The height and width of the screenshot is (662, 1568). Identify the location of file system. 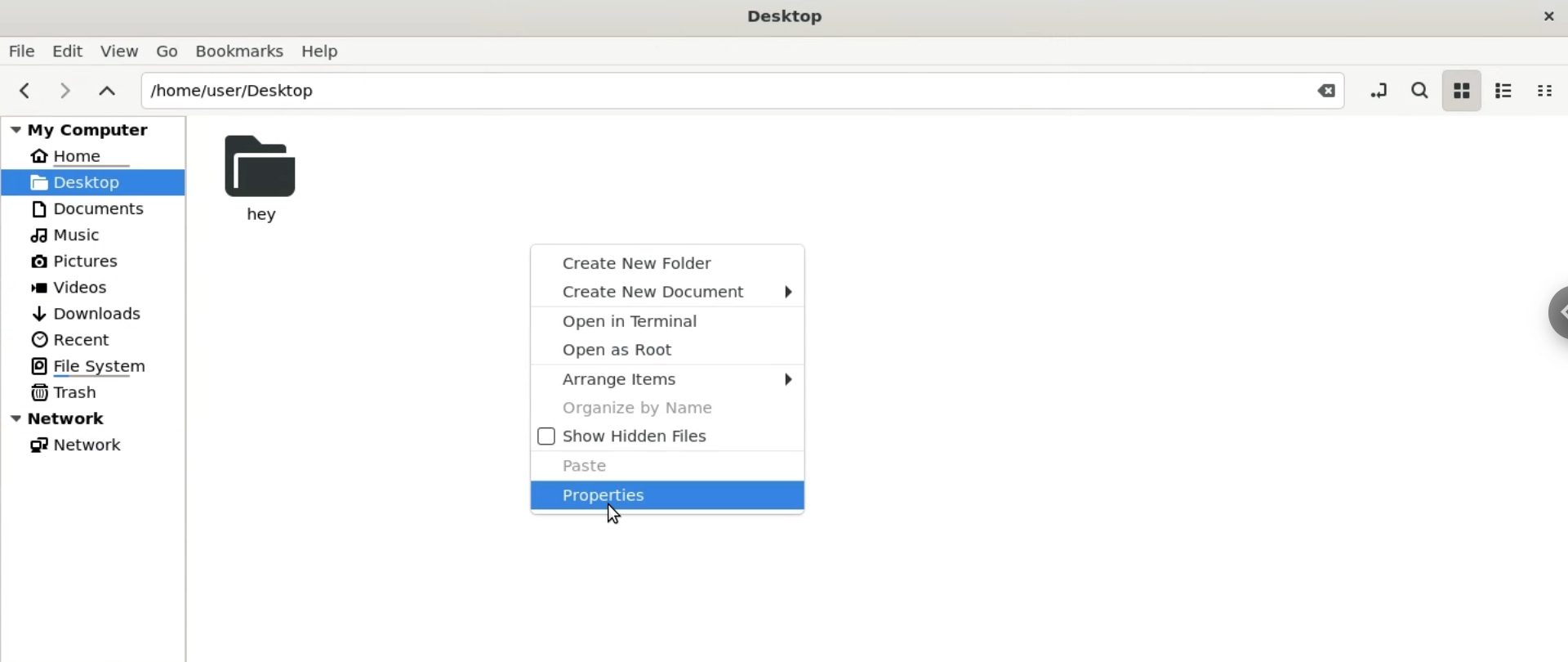
(93, 365).